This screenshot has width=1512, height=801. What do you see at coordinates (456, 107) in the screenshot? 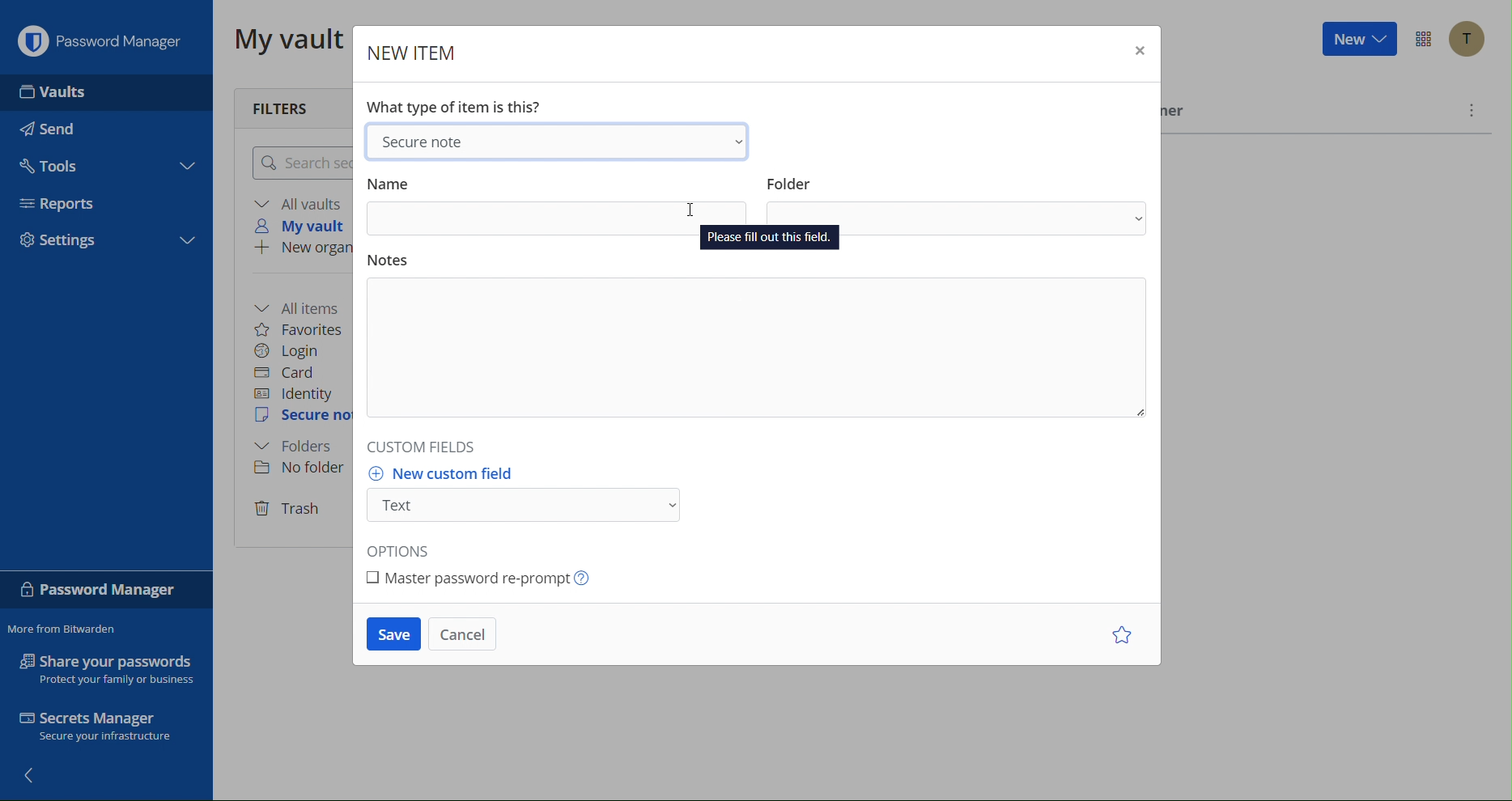
I see `What type of item is this?` at bounding box center [456, 107].